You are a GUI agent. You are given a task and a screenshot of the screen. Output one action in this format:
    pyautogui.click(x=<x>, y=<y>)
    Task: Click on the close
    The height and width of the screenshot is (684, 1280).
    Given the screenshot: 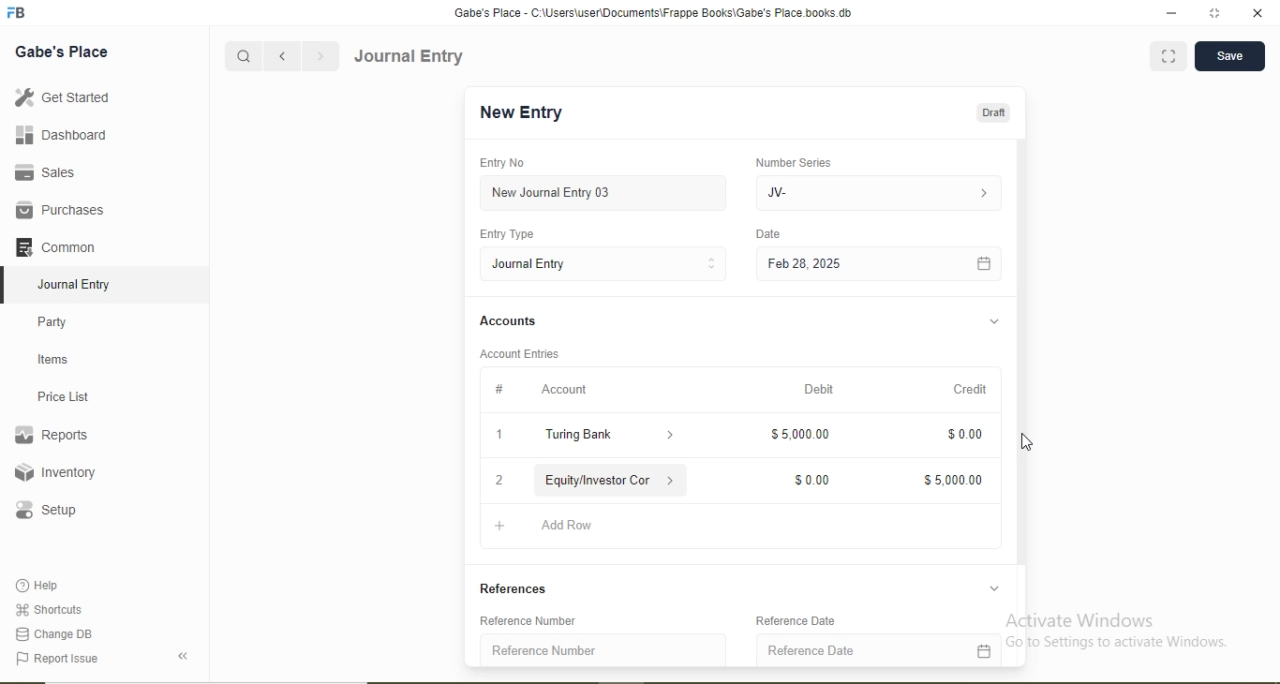 What is the action you would take?
    pyautogui.click(x=1259, y=13)
    